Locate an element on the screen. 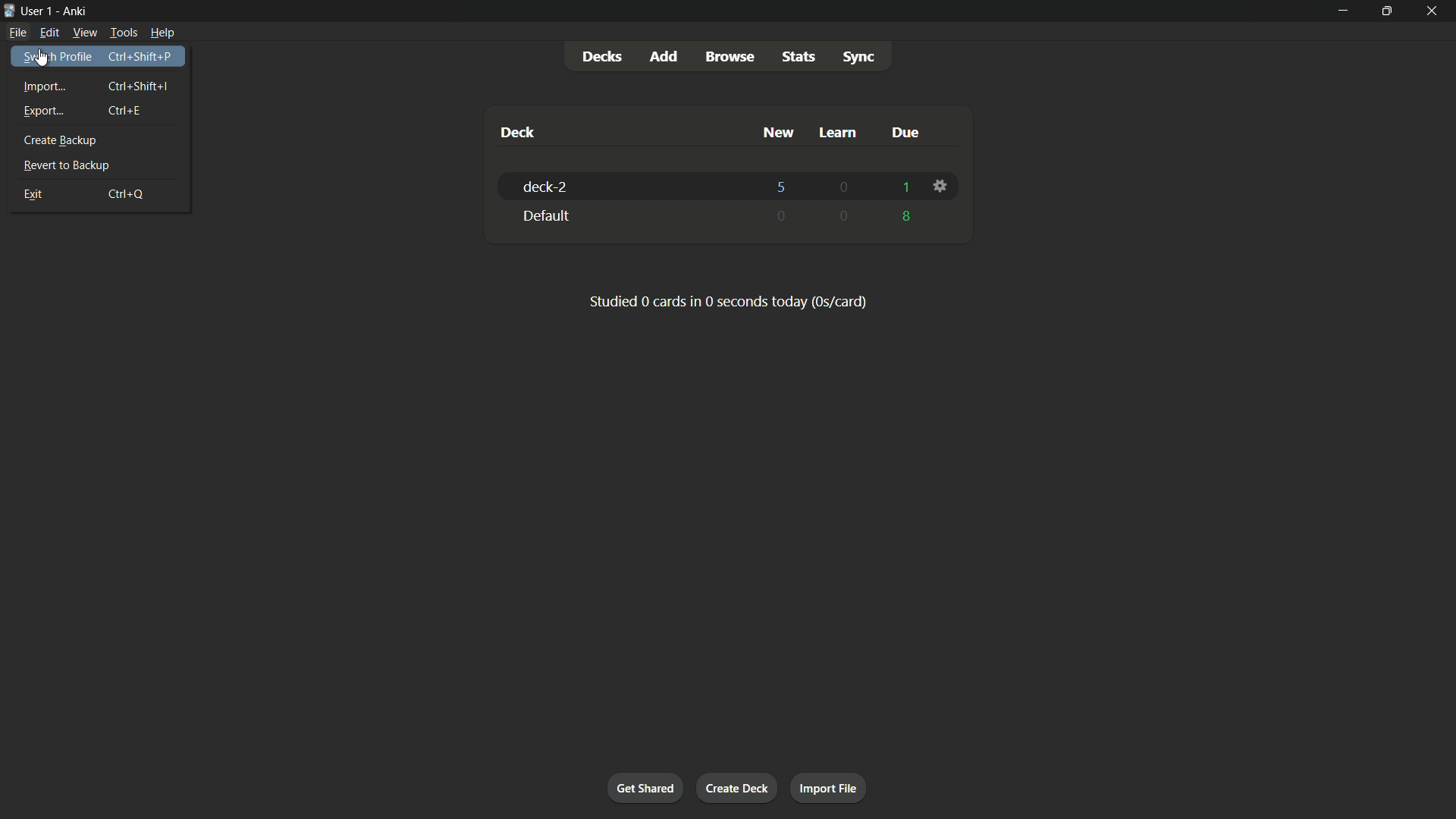 The image size is (1456, 819). Settings is located at coordinates (943, 186).